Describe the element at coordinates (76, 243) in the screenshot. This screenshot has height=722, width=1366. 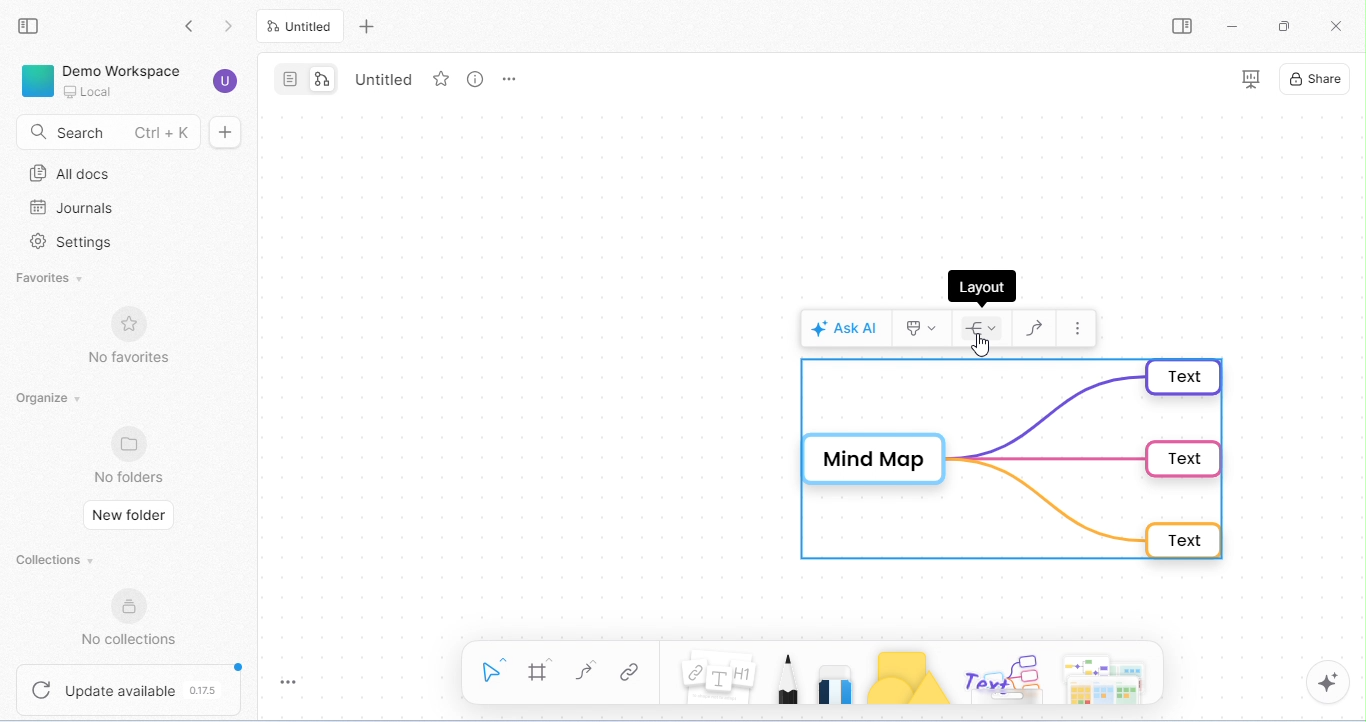
I see `settings` at that location.